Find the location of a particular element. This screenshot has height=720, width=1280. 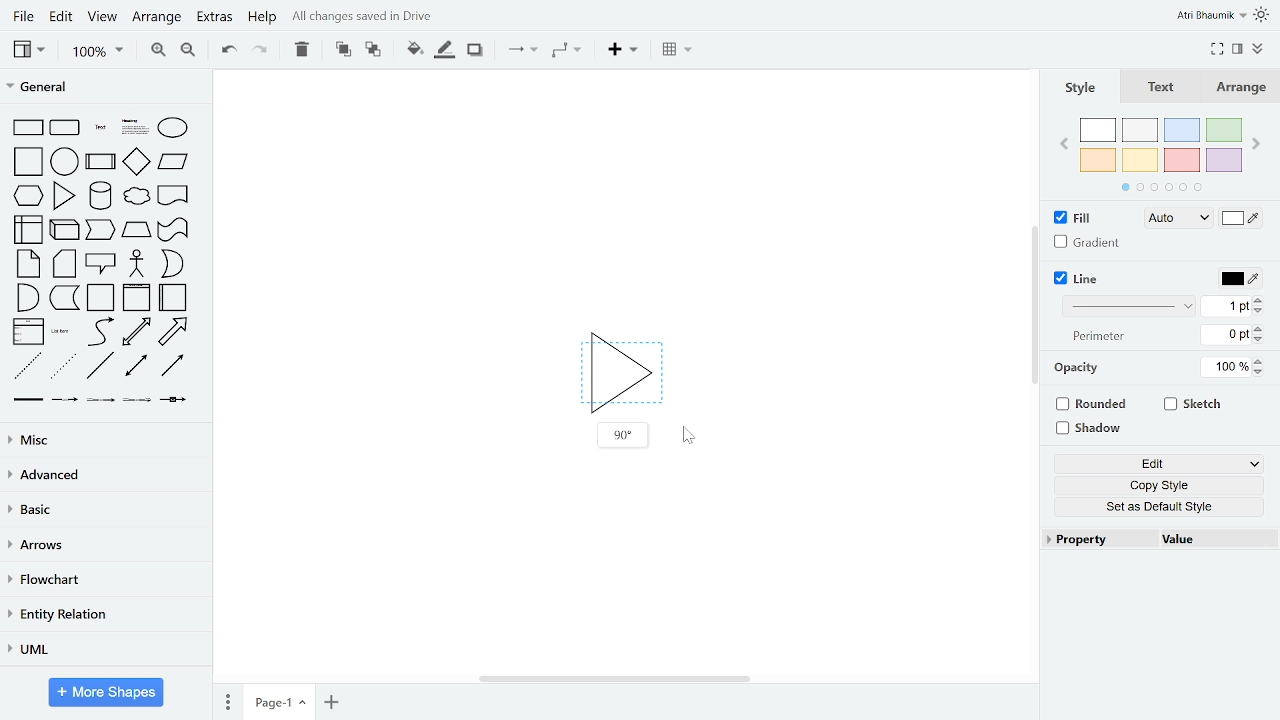

fill sytle is located at coordinates (1176, 219).